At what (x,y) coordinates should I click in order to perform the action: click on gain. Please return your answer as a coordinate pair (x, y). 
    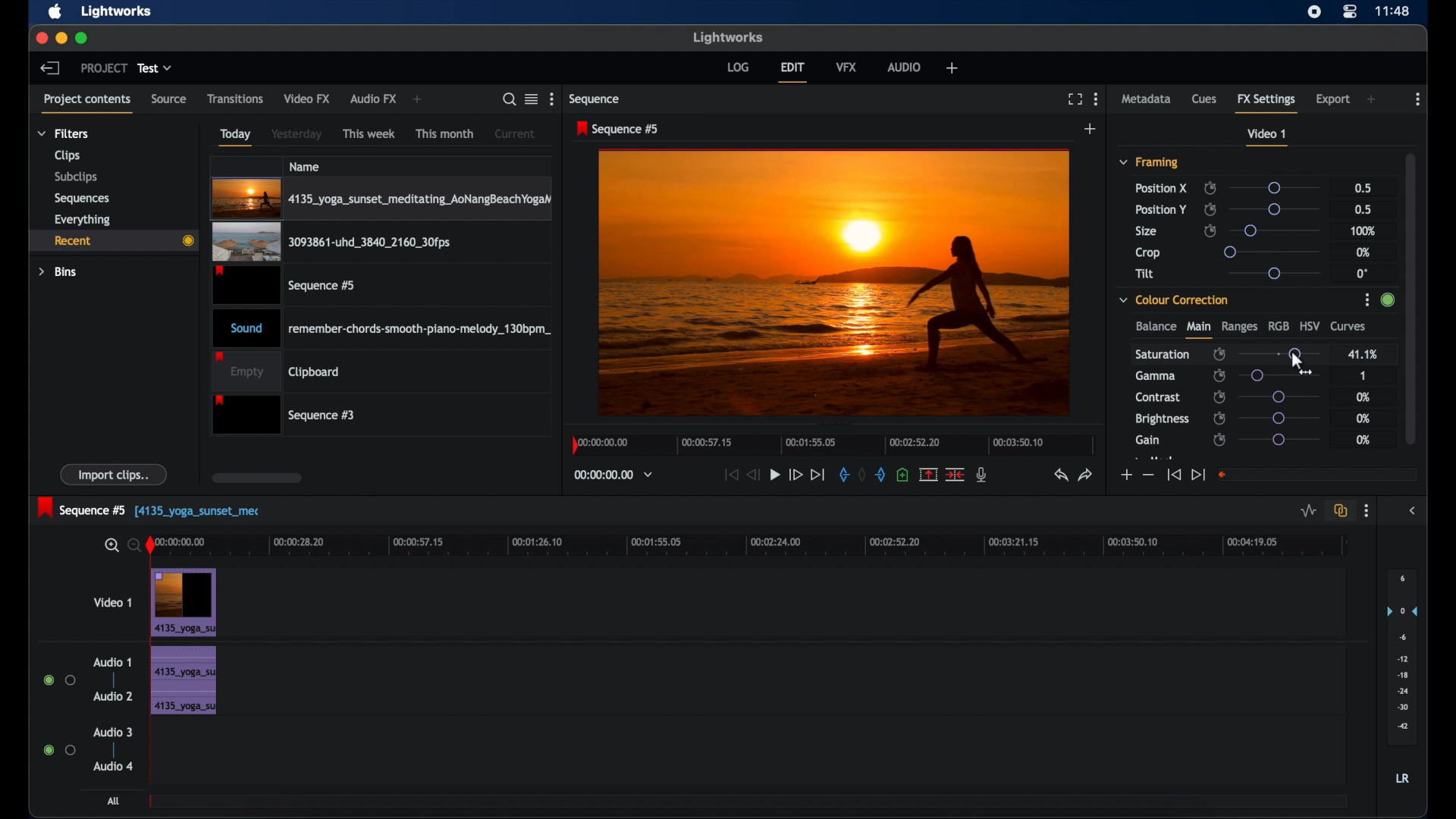
    Looking at the image, I should click on (1147, 440).